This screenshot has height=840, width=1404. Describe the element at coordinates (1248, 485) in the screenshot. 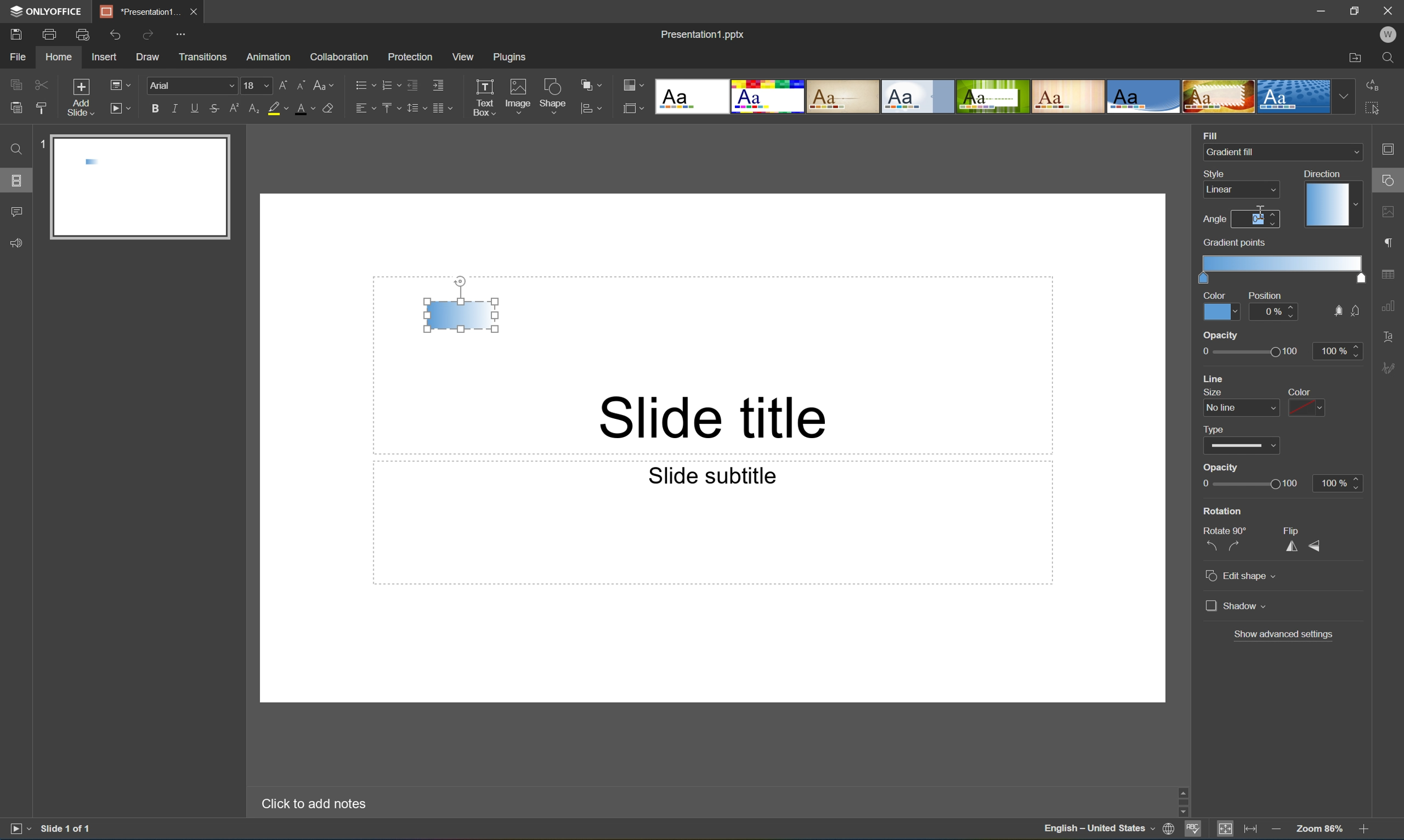

I see `Slider` at that location.